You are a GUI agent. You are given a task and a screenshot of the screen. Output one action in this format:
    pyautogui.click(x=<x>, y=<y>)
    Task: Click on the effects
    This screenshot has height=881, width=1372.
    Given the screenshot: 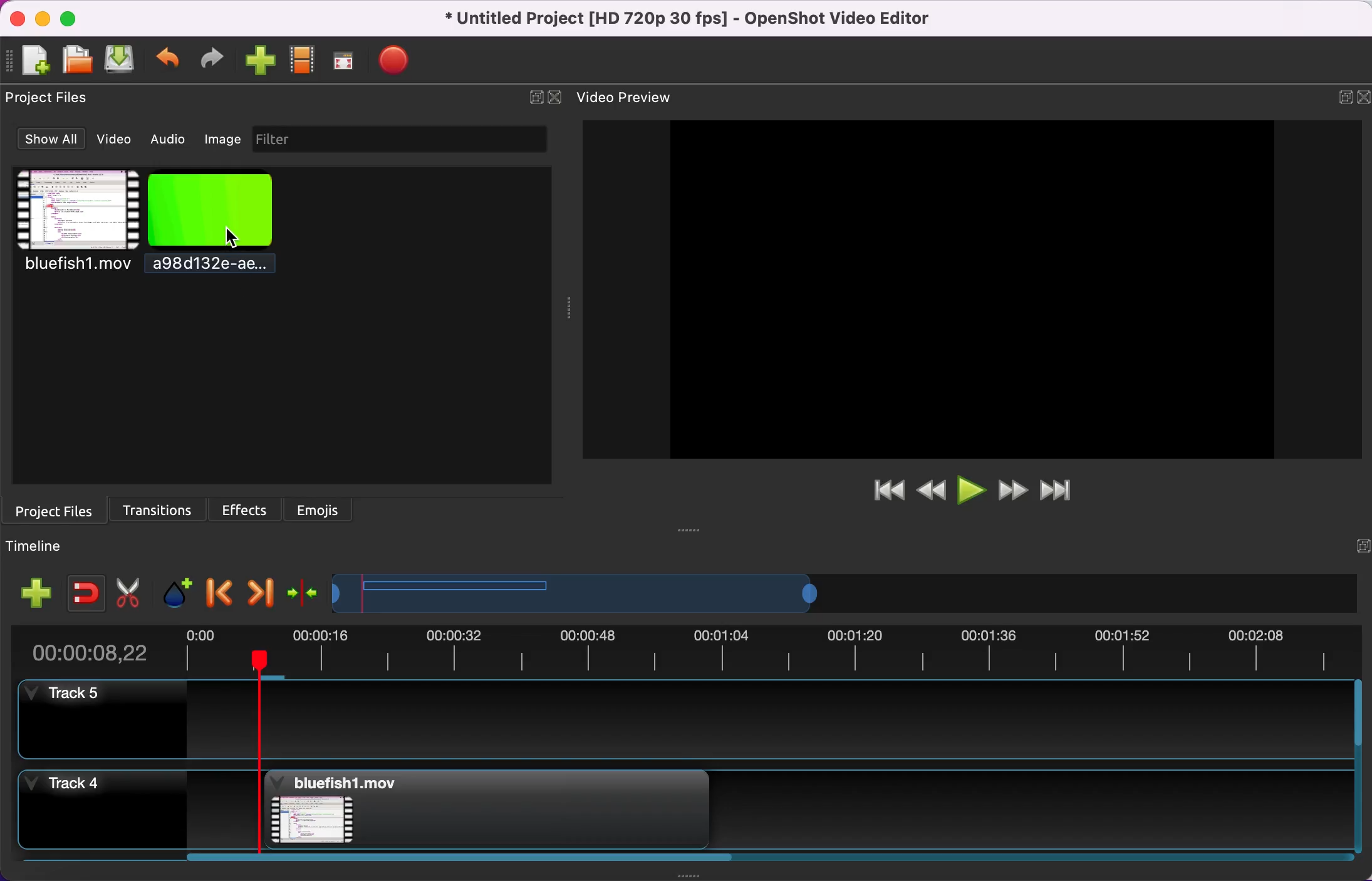 What is the action you would take?
    pyautogui.click(x=245, y=509)
    